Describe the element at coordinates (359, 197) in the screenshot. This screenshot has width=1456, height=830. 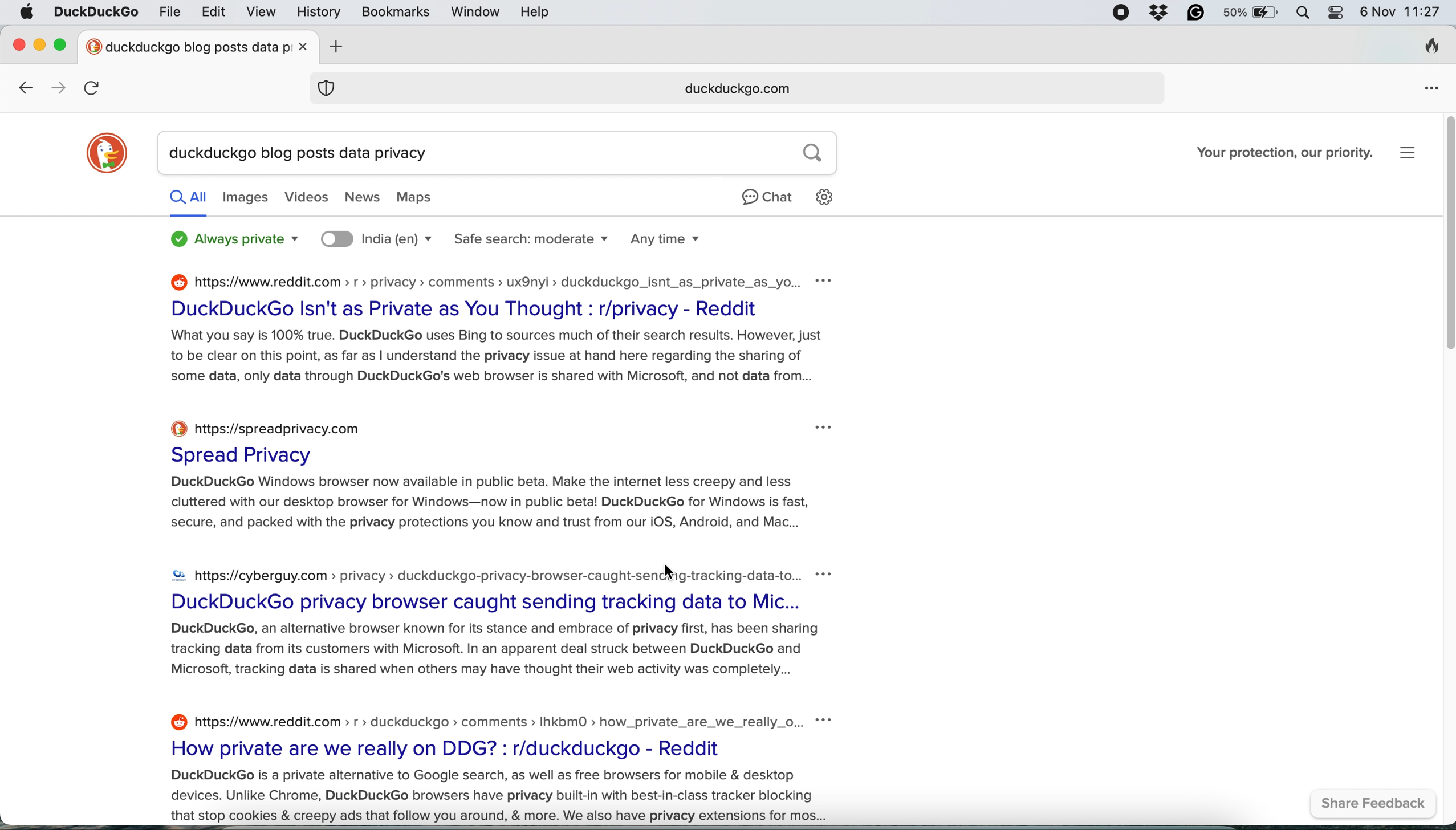
I see `news` at that location.